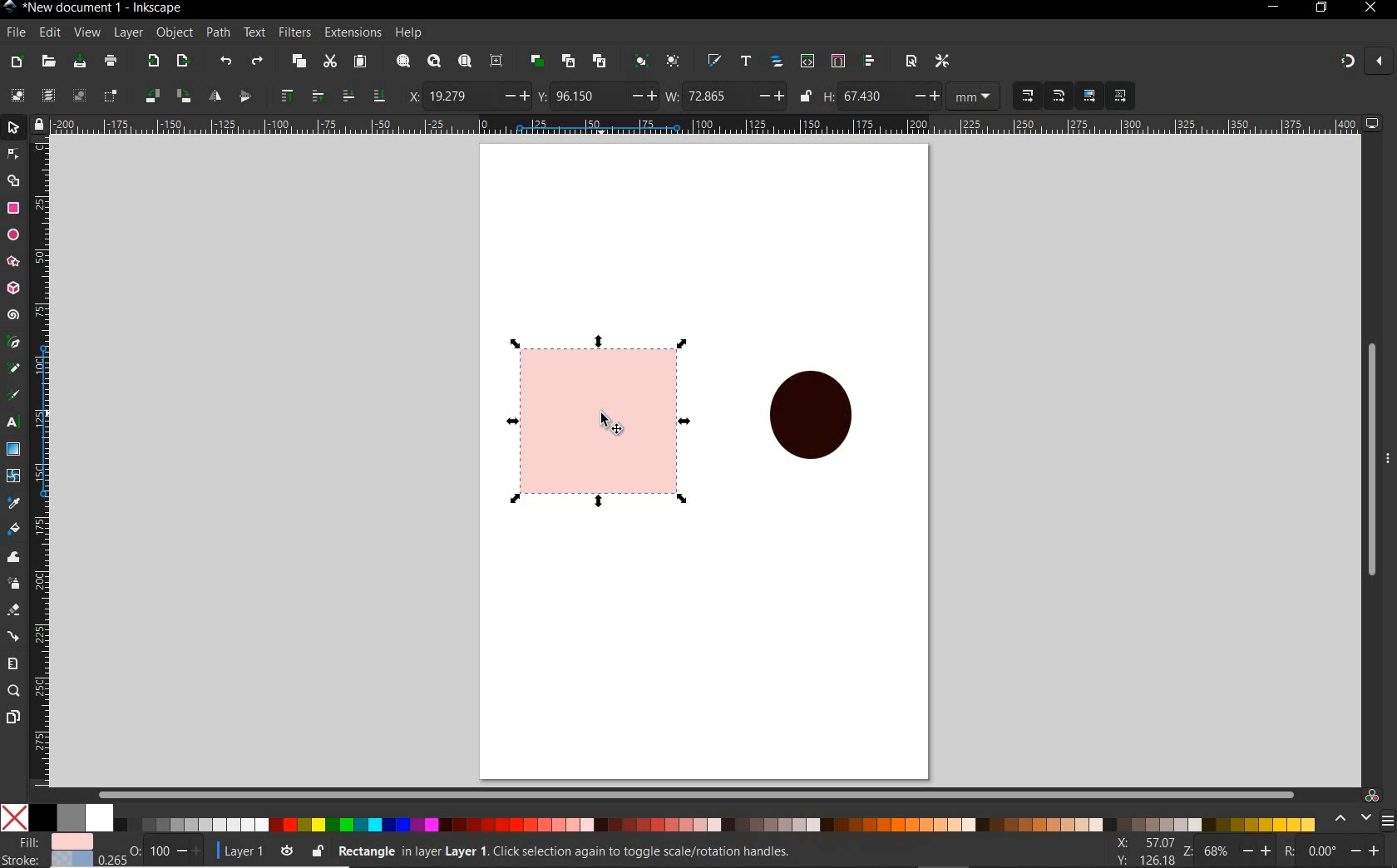  I want to click on new document 1, so click(108, 8).